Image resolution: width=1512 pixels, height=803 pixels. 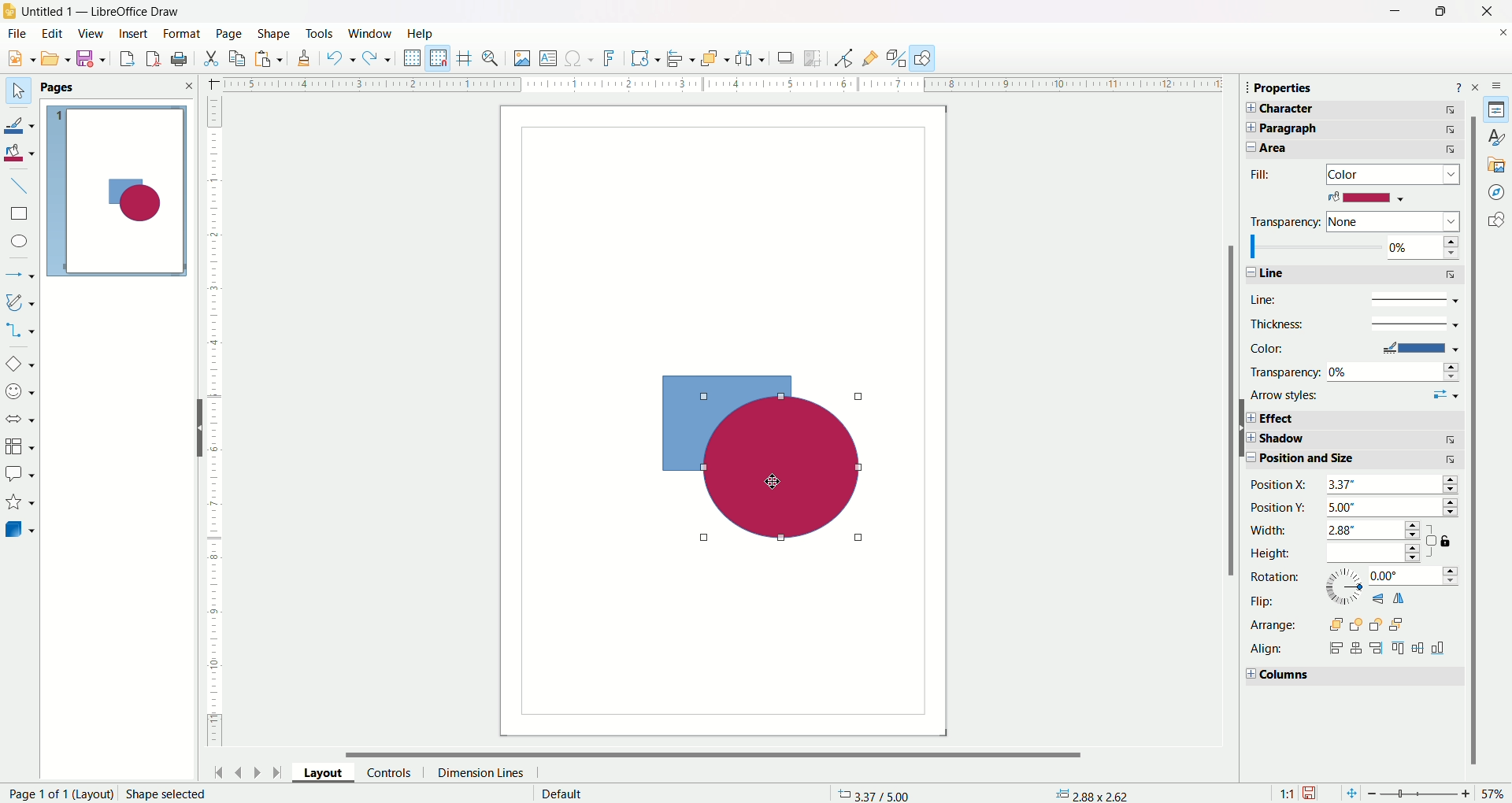 I want to click on tools, so click(x=320, y=33).